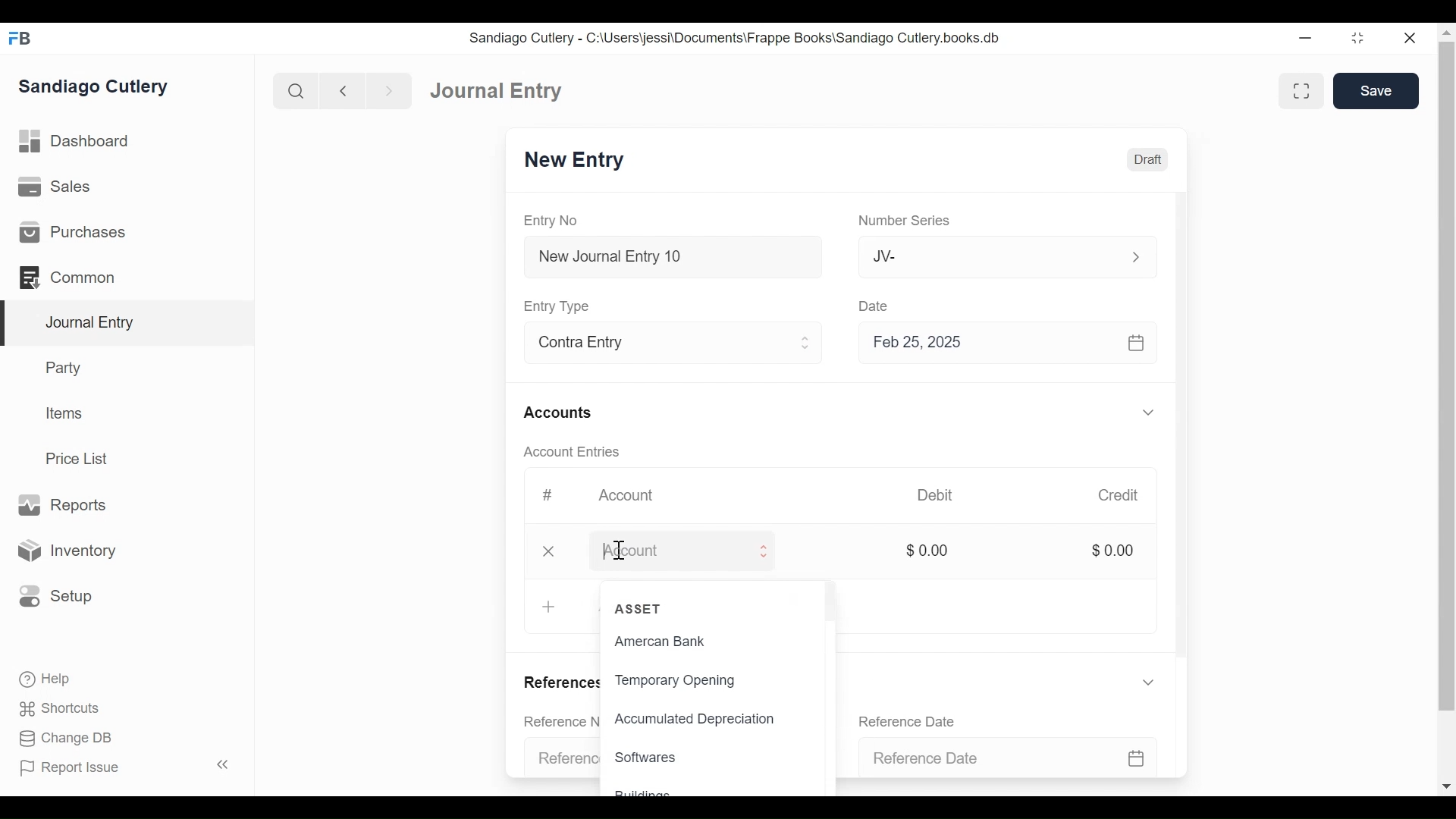 The width and height of the screenshot is (1456, 819). Describe the element at coordinates (682, 256) in the screenshot. I see `New Journal Entry 10` at that location.